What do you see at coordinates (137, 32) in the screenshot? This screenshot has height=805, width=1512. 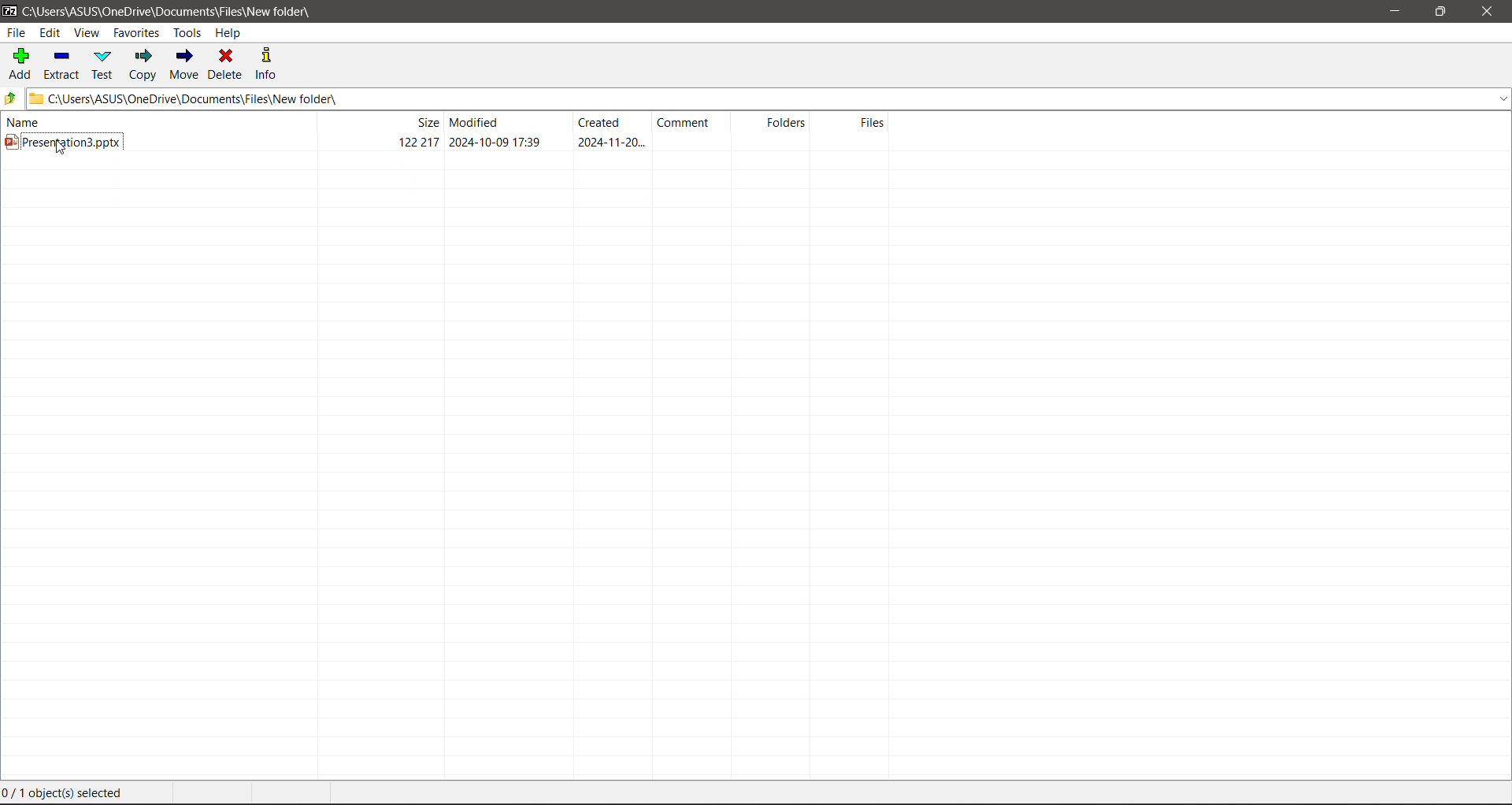 I see `Favorites` at bounding box center [137, 32].